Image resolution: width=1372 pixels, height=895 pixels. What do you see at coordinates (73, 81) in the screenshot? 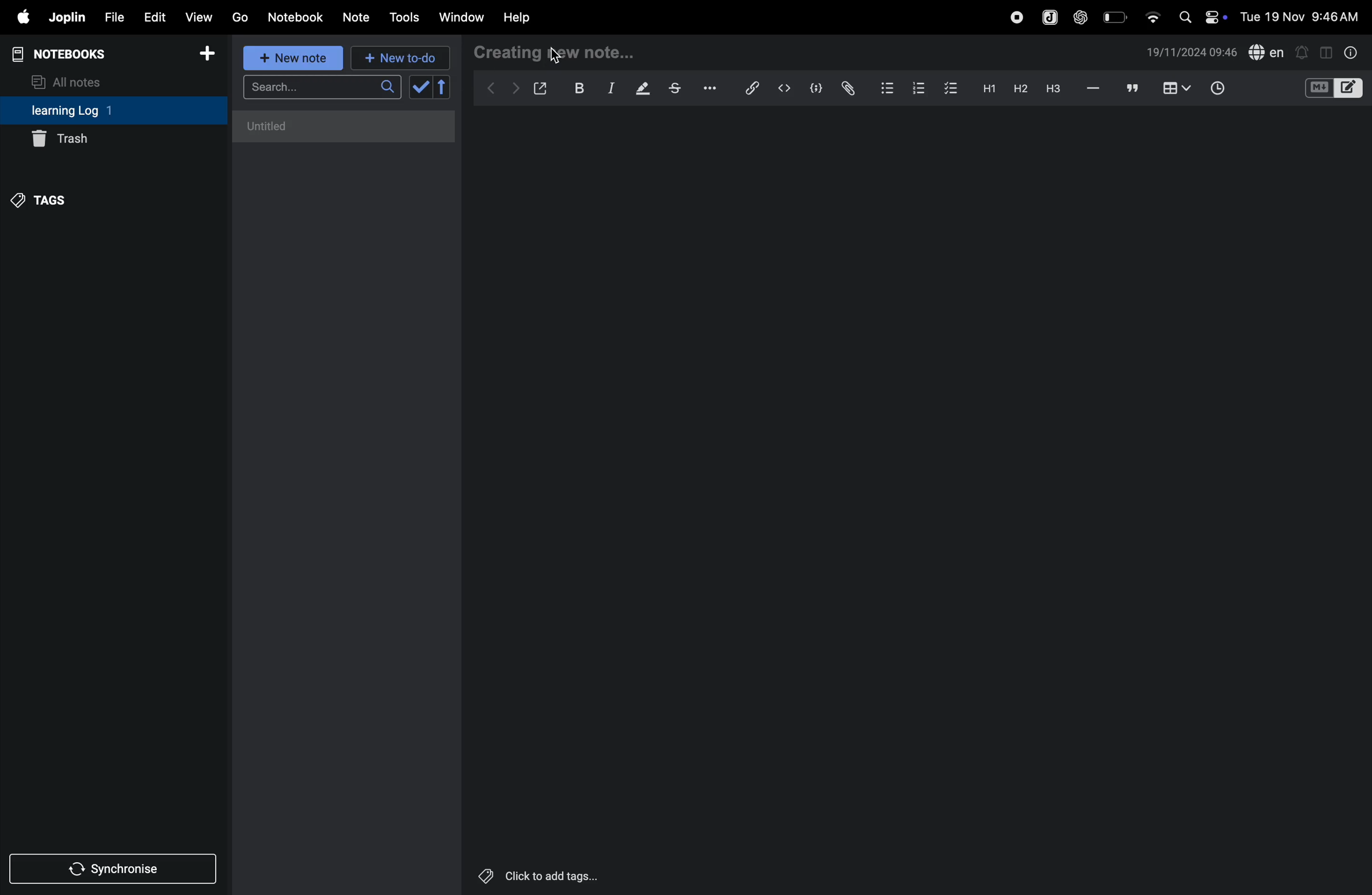
I see `all notes` at bounding box center [73, 81].